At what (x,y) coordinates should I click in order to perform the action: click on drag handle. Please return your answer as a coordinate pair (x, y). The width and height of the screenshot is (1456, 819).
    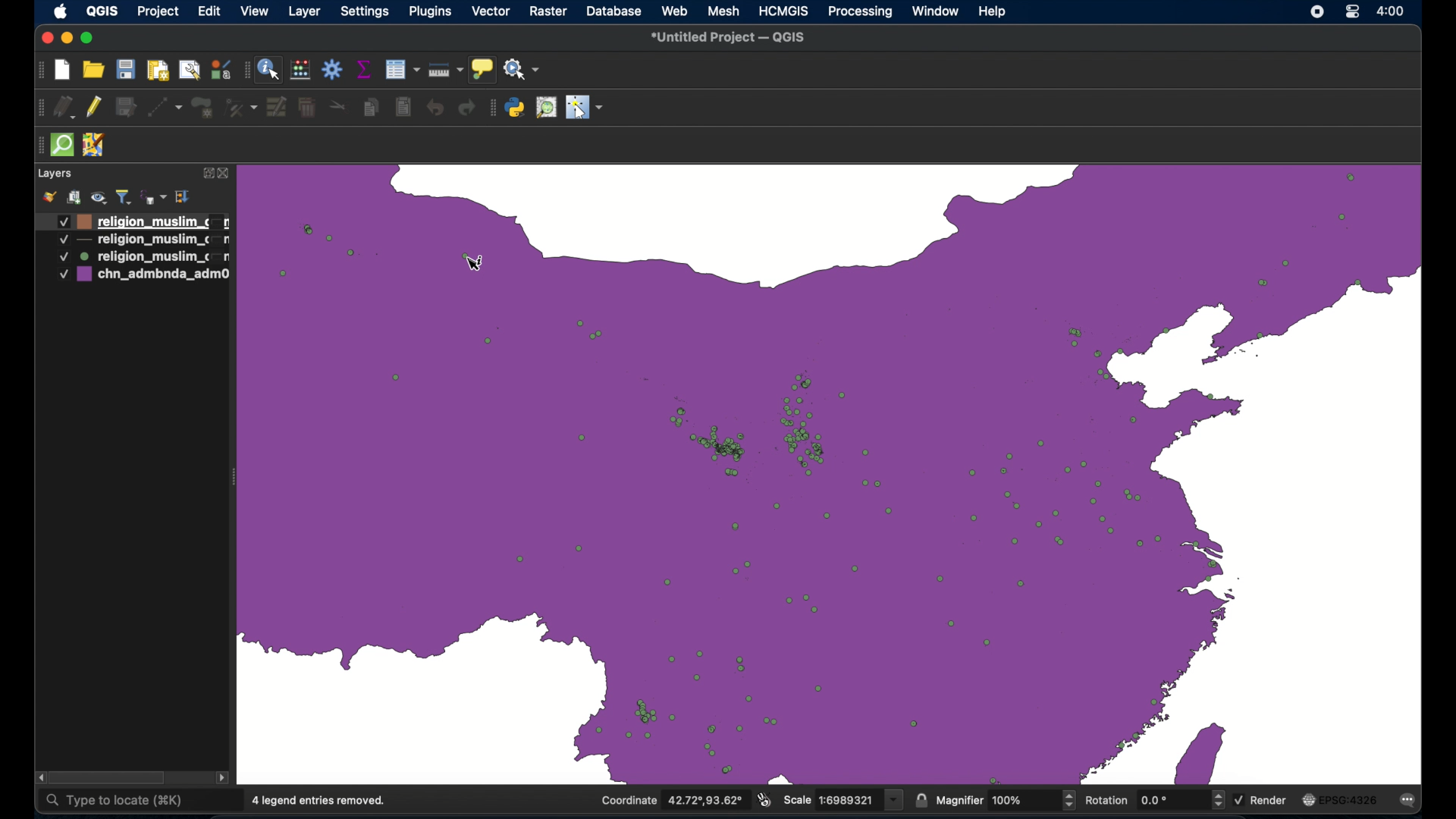
    Looking at the image, I should click on (38, 144).